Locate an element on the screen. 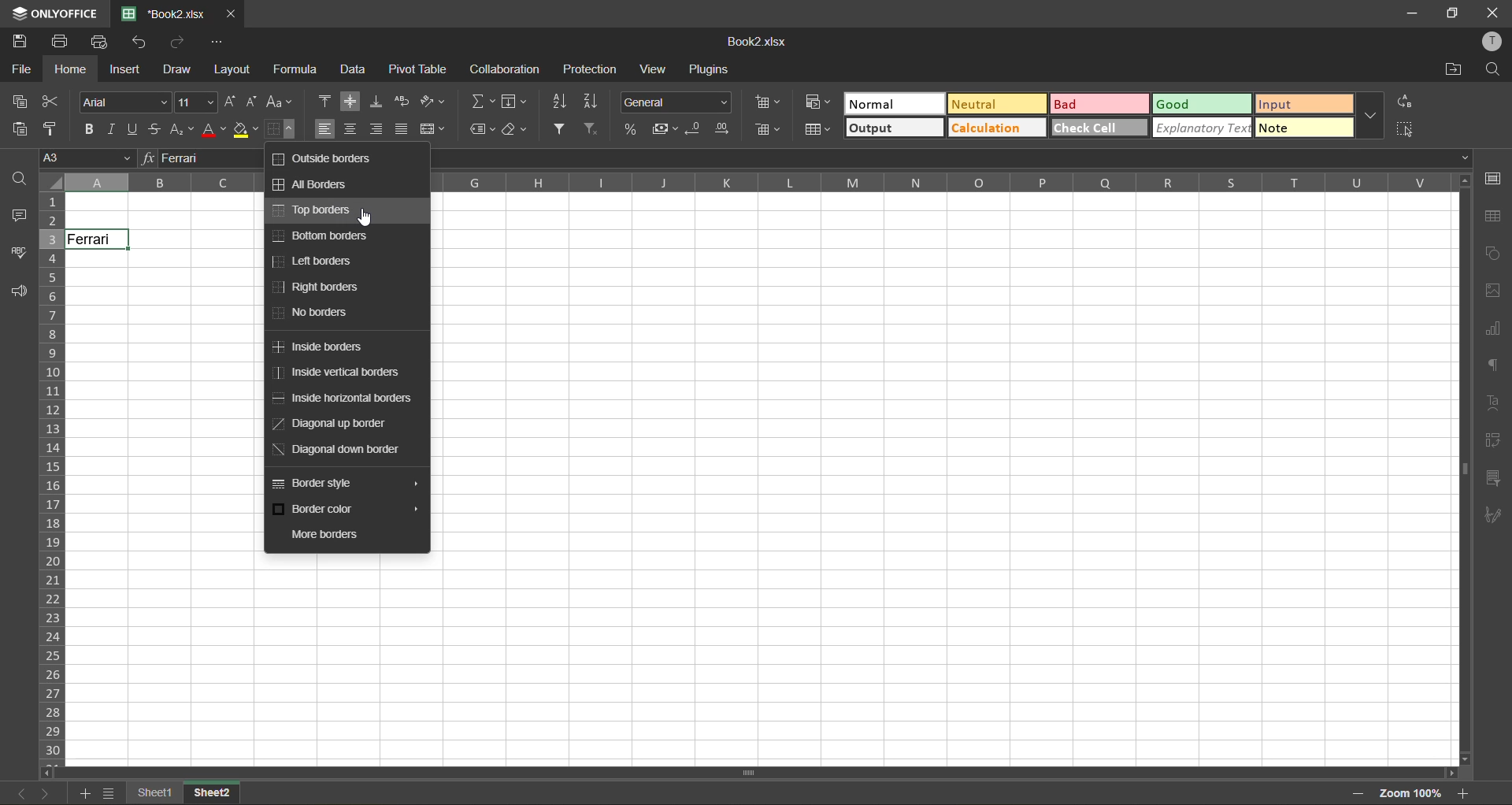 The width and height of the screenshot is (1512, 805). align top is located at coordinates (325, 101).